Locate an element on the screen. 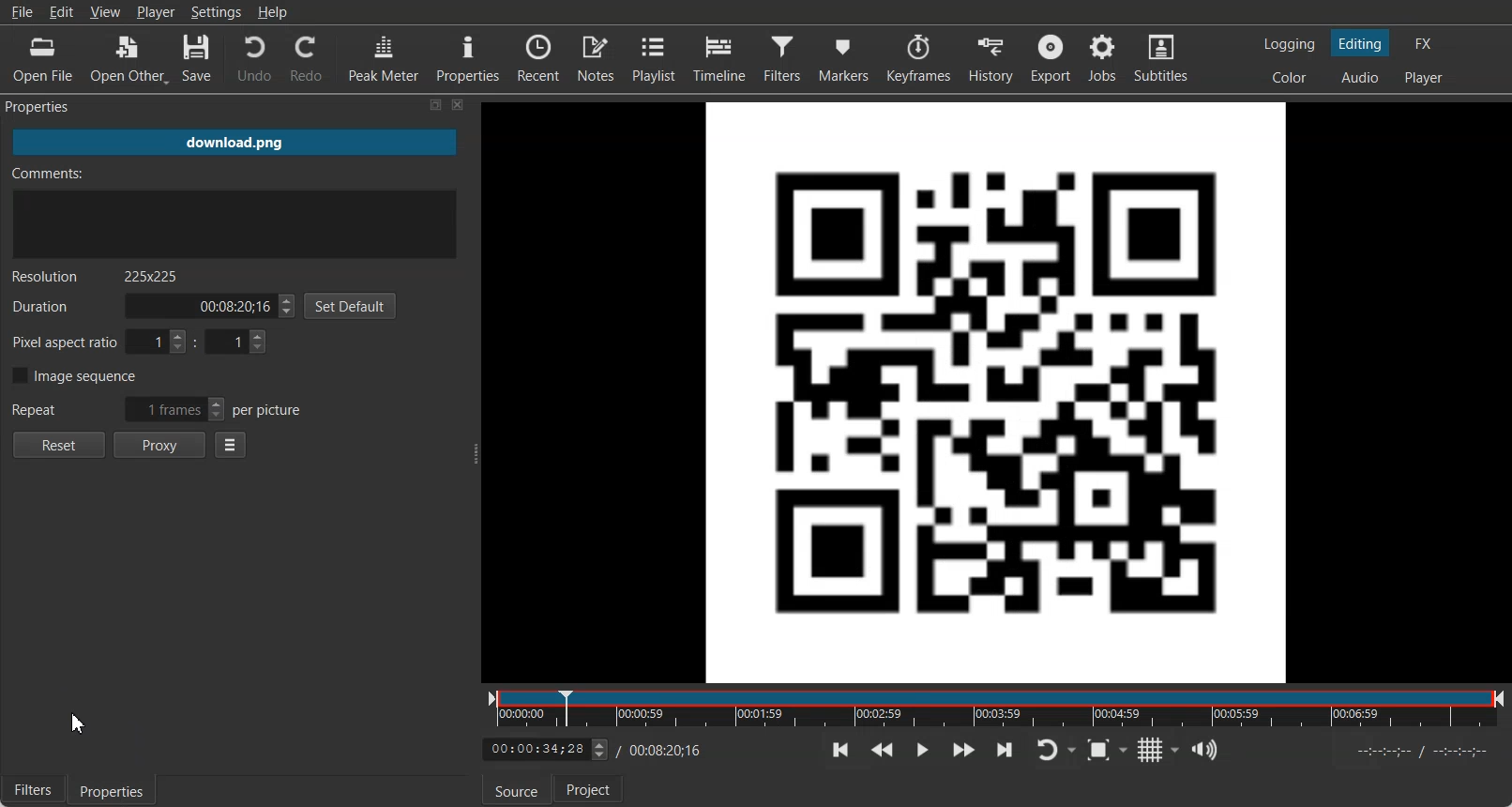 The width and height of the screenshot is (1512, 807). Close is located at coordinates (459, 105).